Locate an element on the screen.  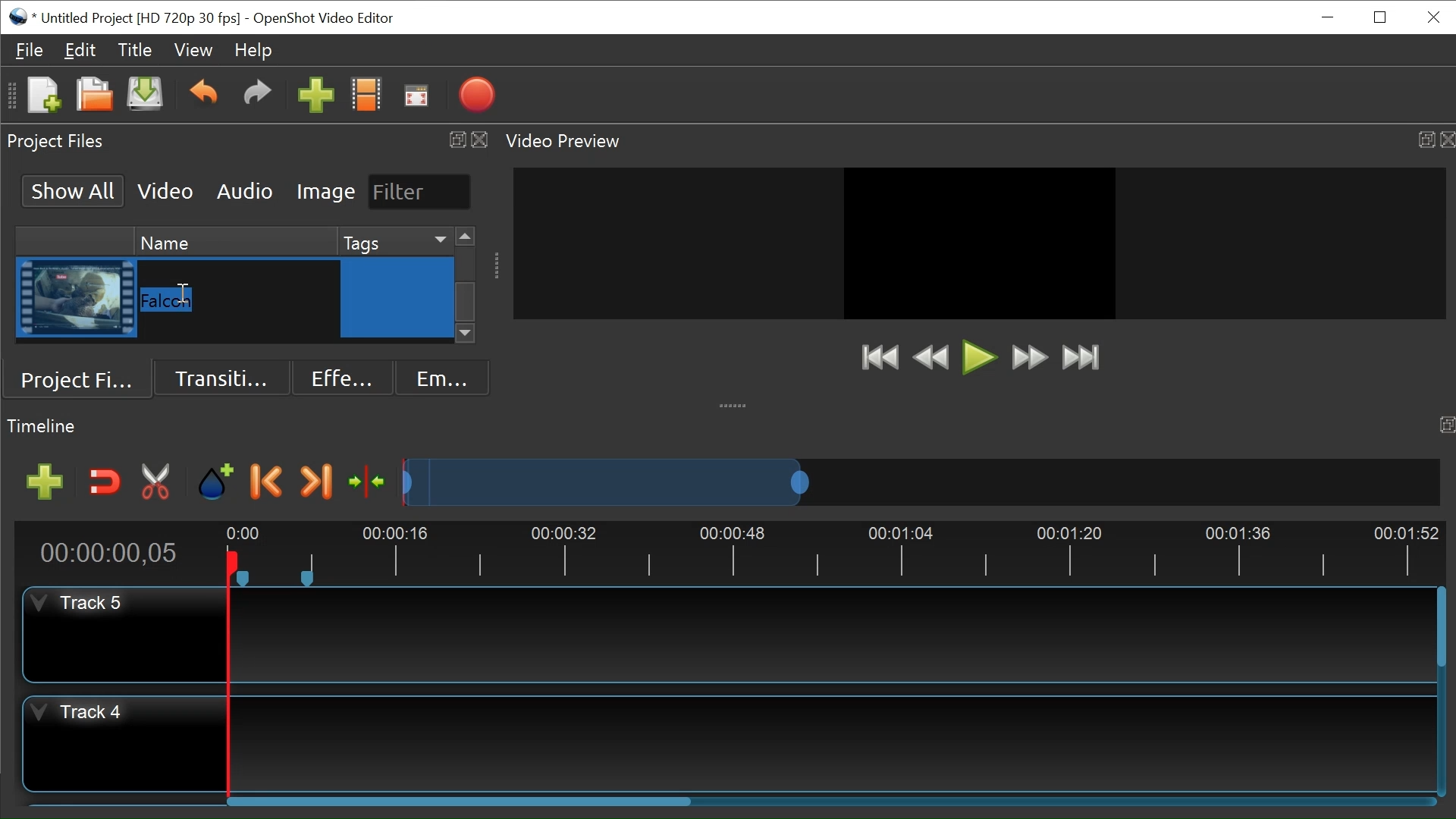
Fullscreen is located at coordinates (416, 96).